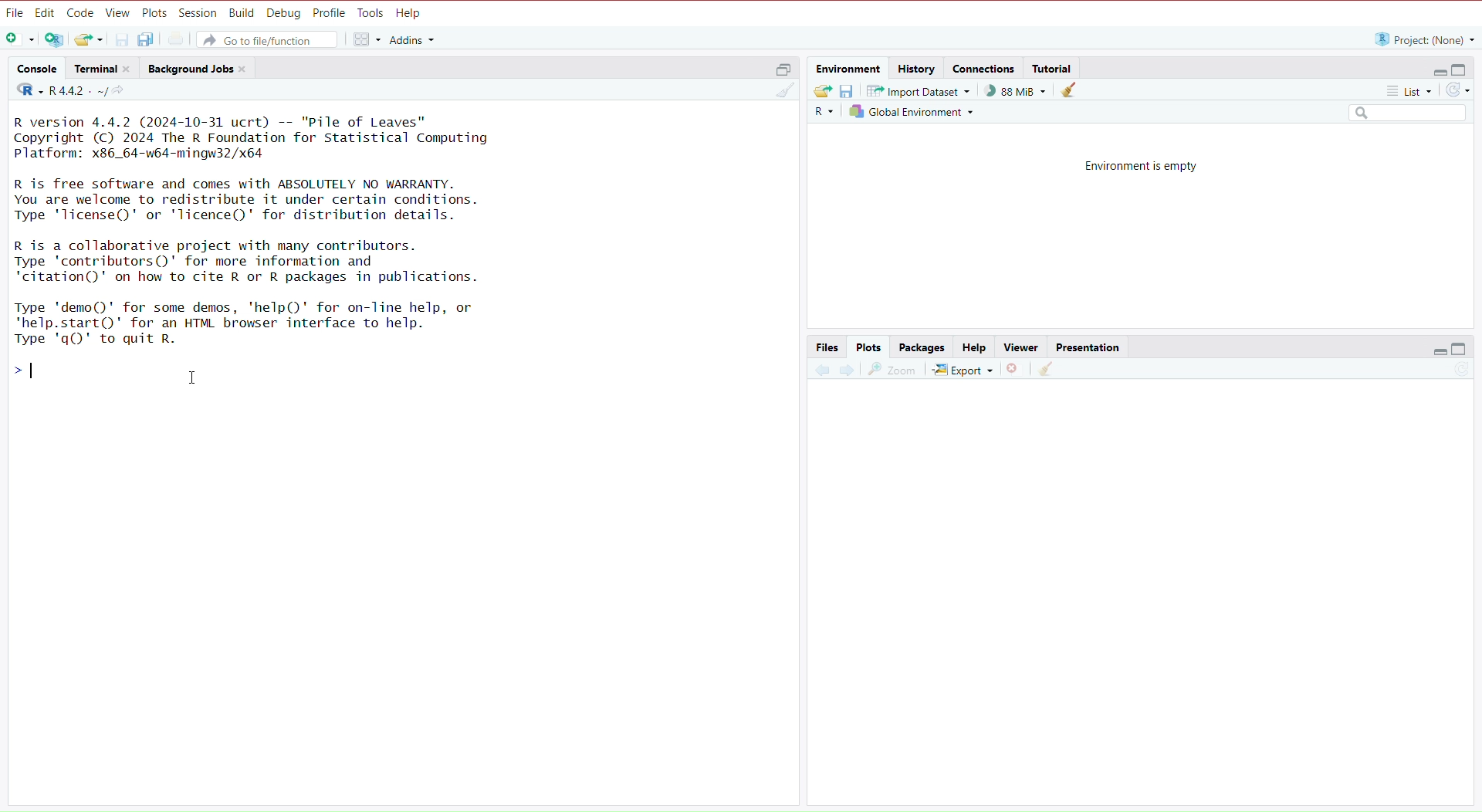 The width and height of the screenshot is (1482, 812). I want to click on History, so click(917, 67).